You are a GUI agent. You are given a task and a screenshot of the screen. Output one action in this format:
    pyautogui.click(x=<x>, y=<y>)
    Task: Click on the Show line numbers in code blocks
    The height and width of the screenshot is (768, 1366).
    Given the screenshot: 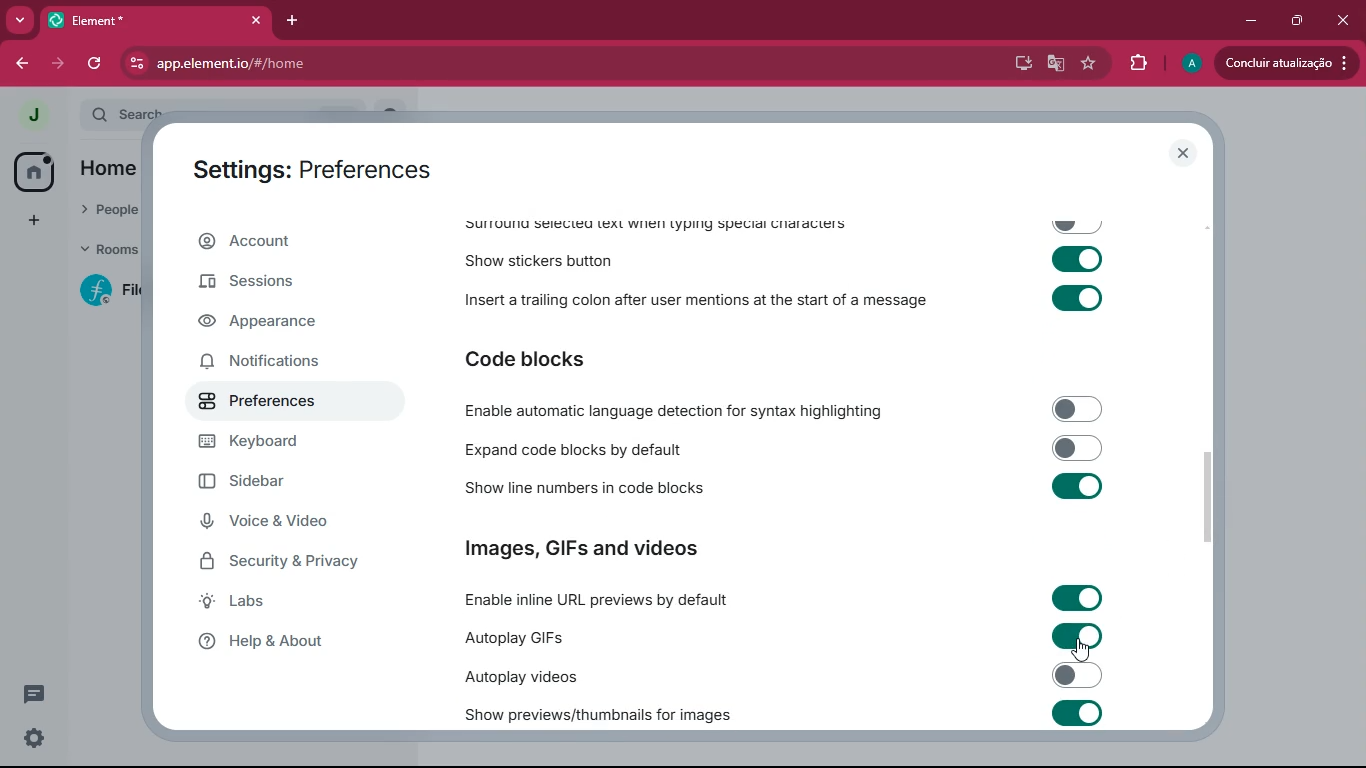 What is the action you would take?
    pyautogui.click(x=781, y=488)
    